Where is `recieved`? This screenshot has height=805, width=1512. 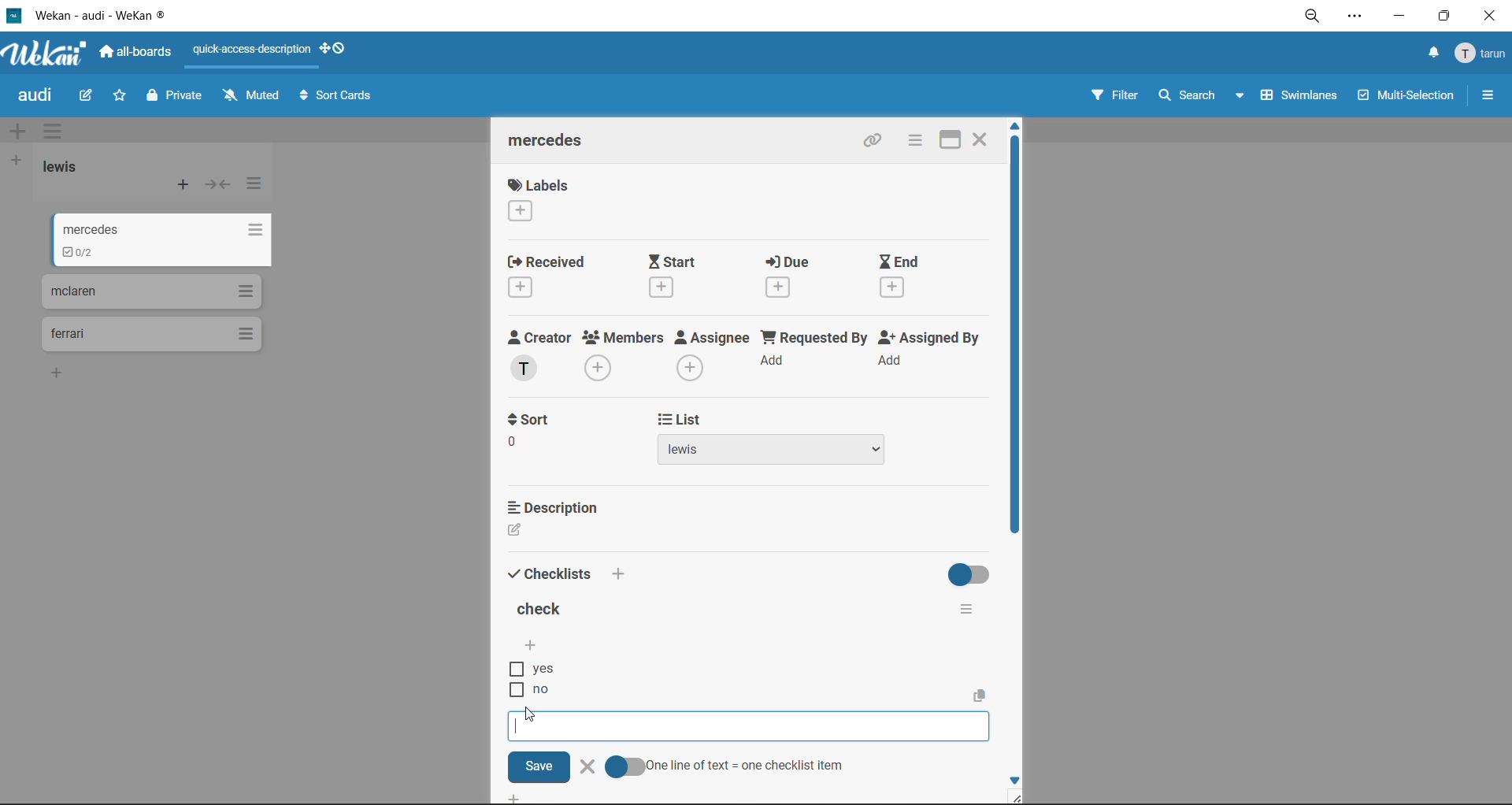 recieved is located at coordinates (547, 261).